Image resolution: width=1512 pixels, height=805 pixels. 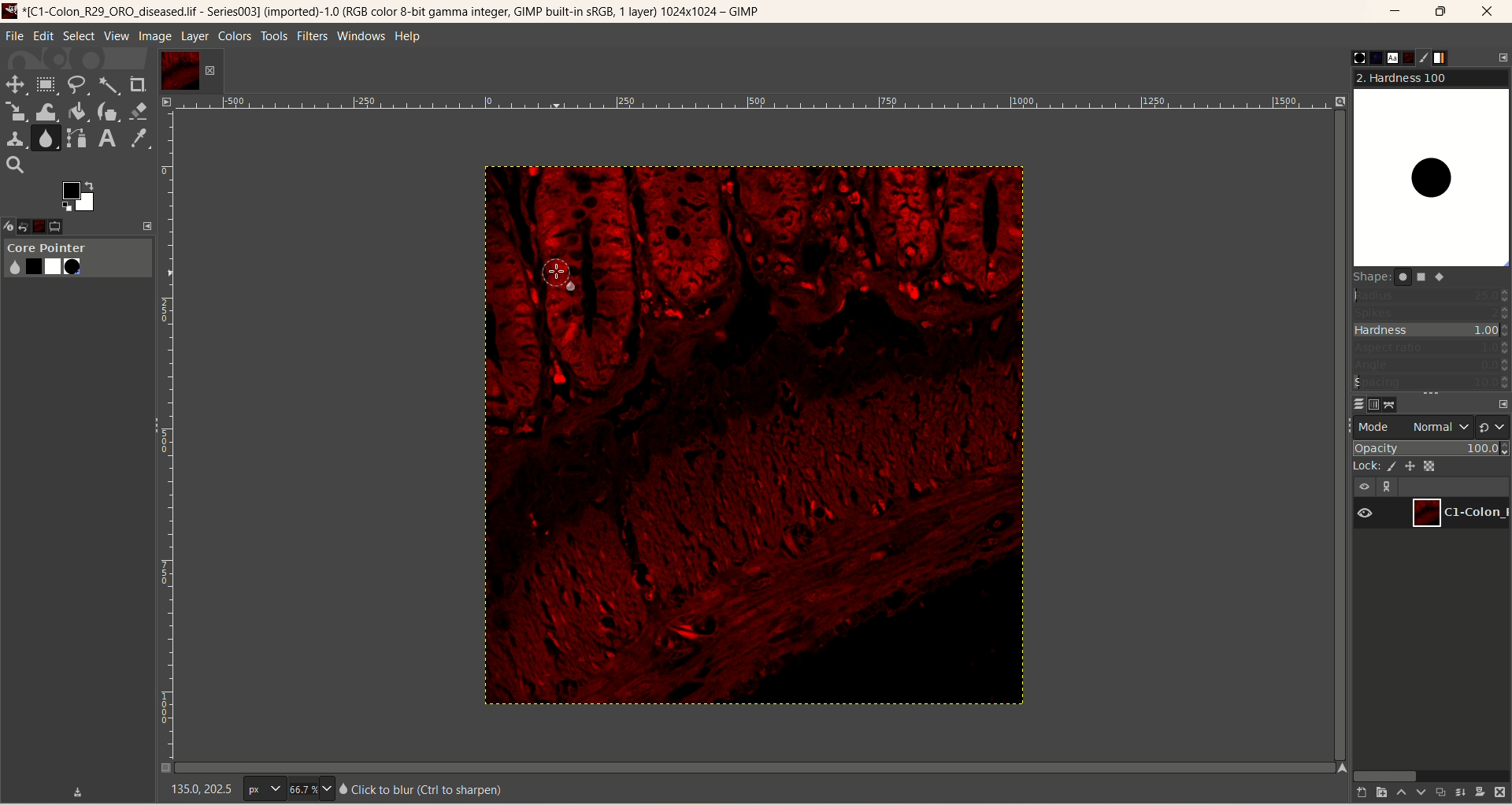 What do you see at coordinates (155, 37) in the screenshot?
I see `image` at bounding box center [155, 37].